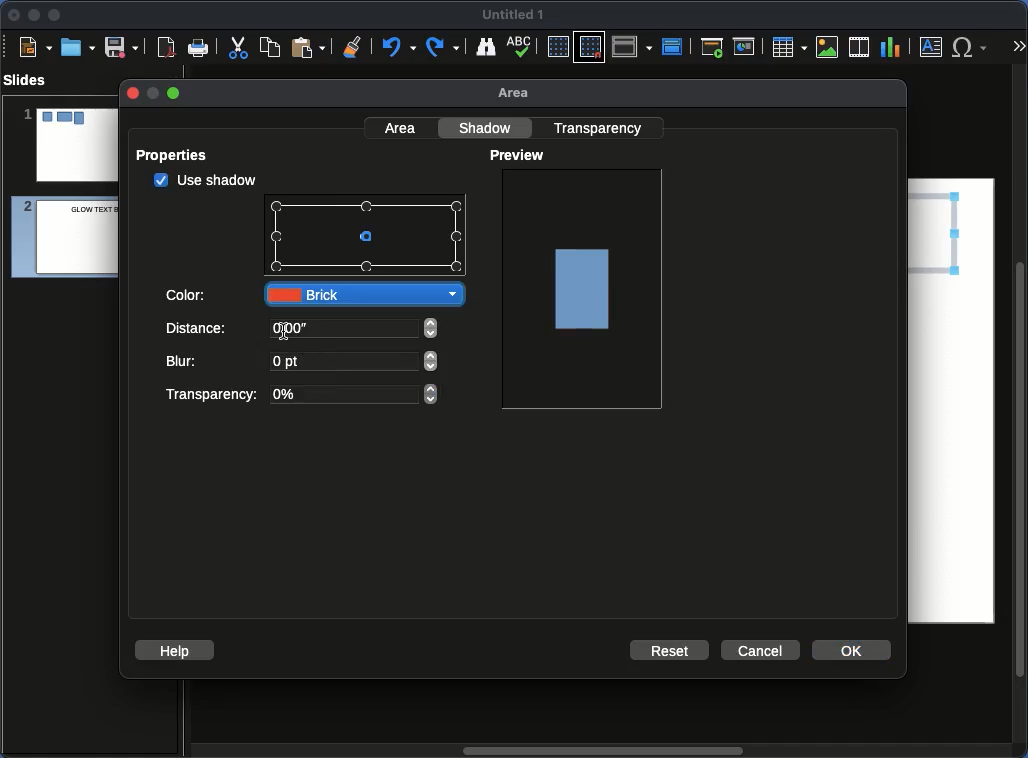 This screenshot has width=1028, height=758. What do you see at coordinates (299, 395) in the screenshot?
I see `Transparency` at bounding box center [299, 395].